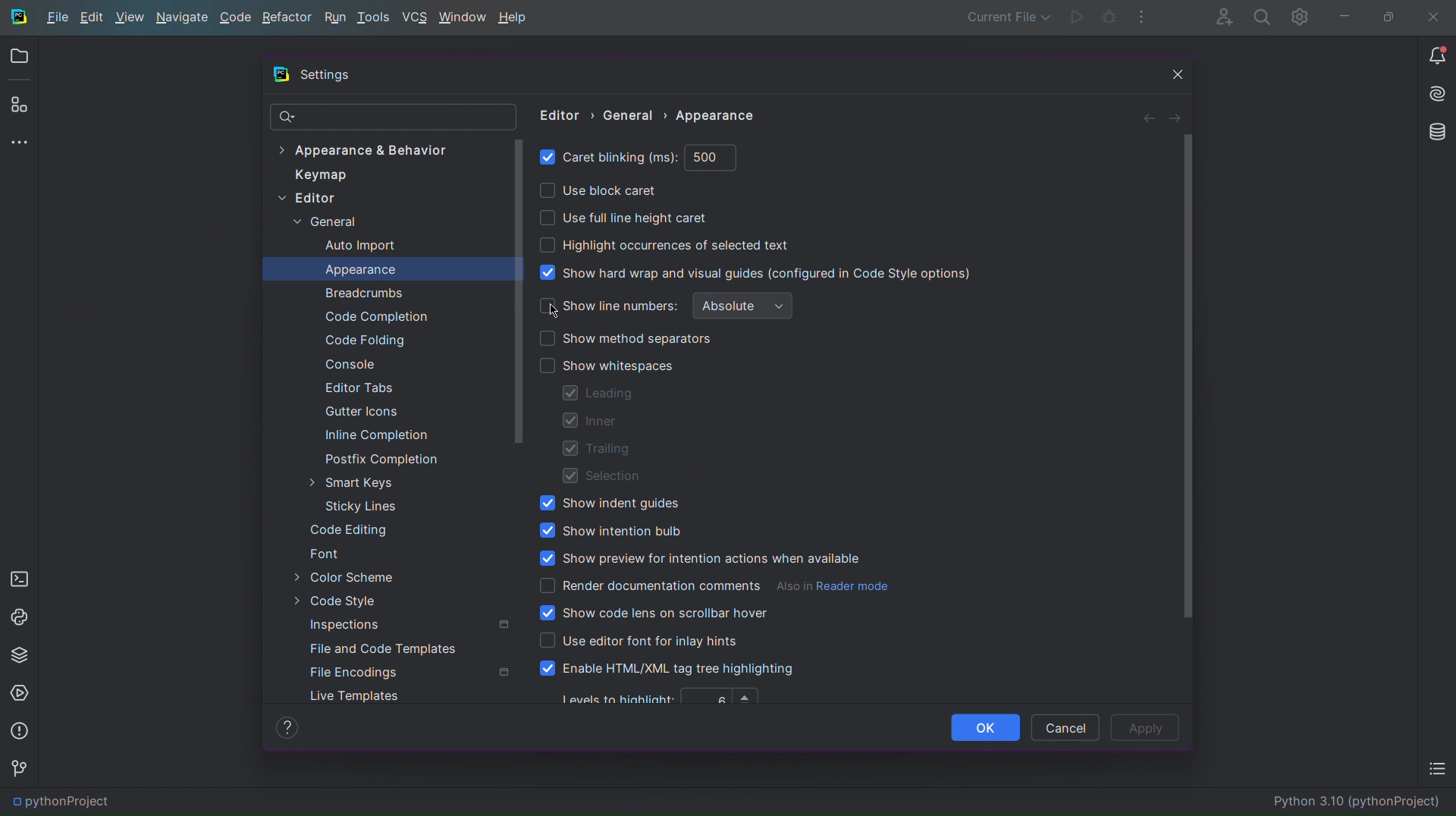 Image resolution: width=1456 pixels, height=816 pixels. I want to click on Navigate, so click(185, 17).